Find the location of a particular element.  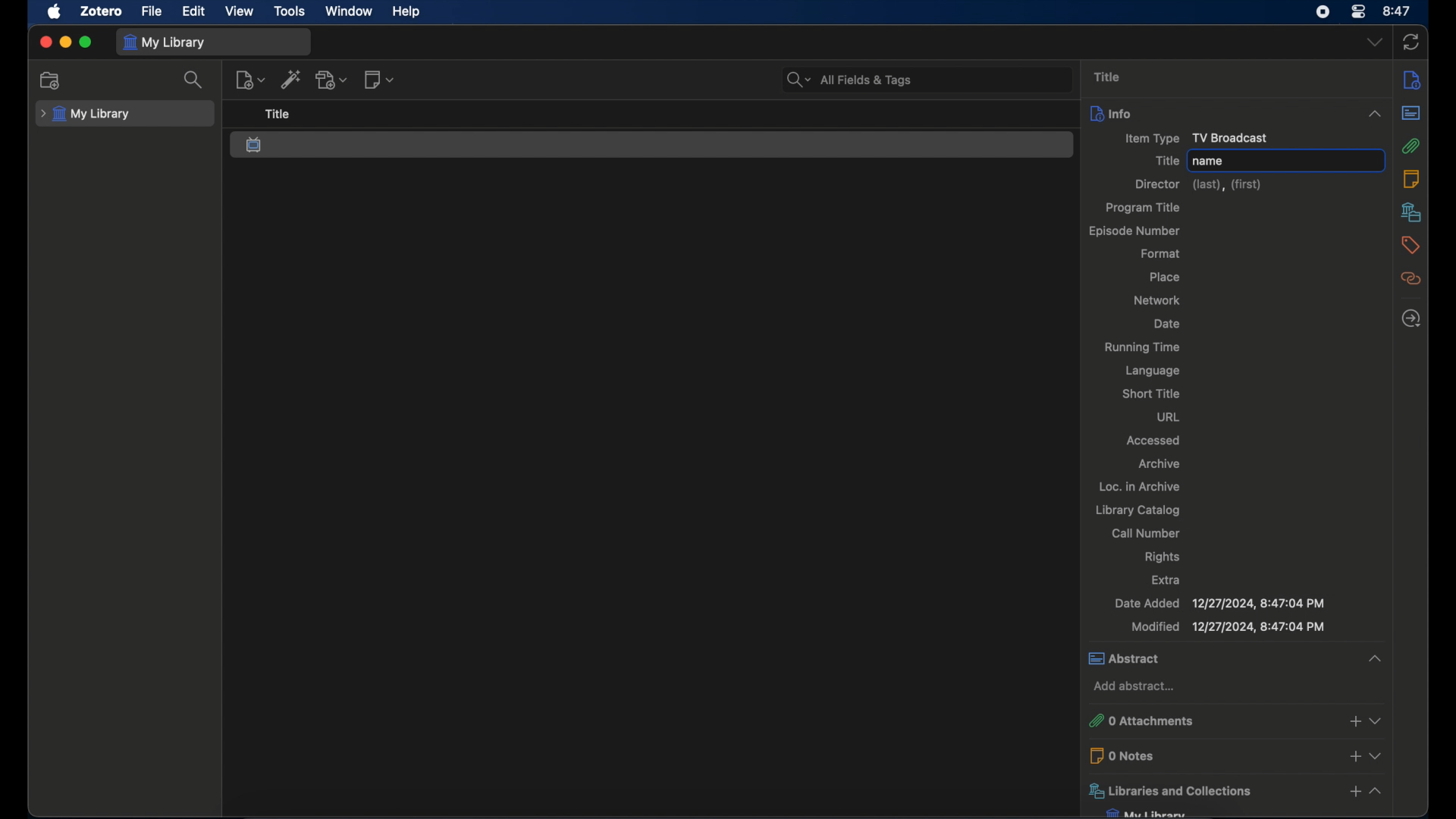

attachments is located at coordinates (1414, 147).